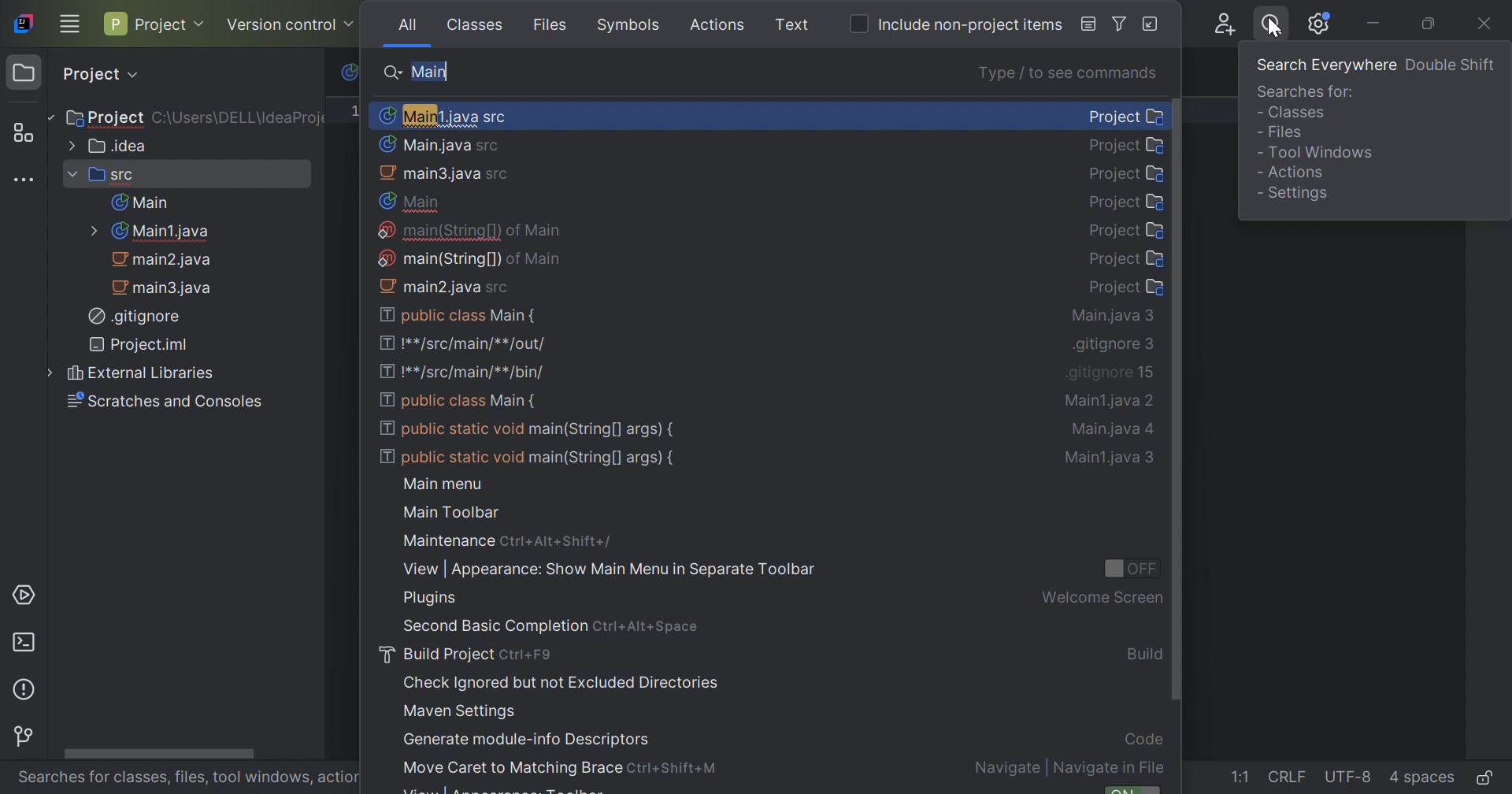  What do you see at coordinates (1307, 95) in the screenshot?
I see `Searches for:` at bounding box center [1307, 95].